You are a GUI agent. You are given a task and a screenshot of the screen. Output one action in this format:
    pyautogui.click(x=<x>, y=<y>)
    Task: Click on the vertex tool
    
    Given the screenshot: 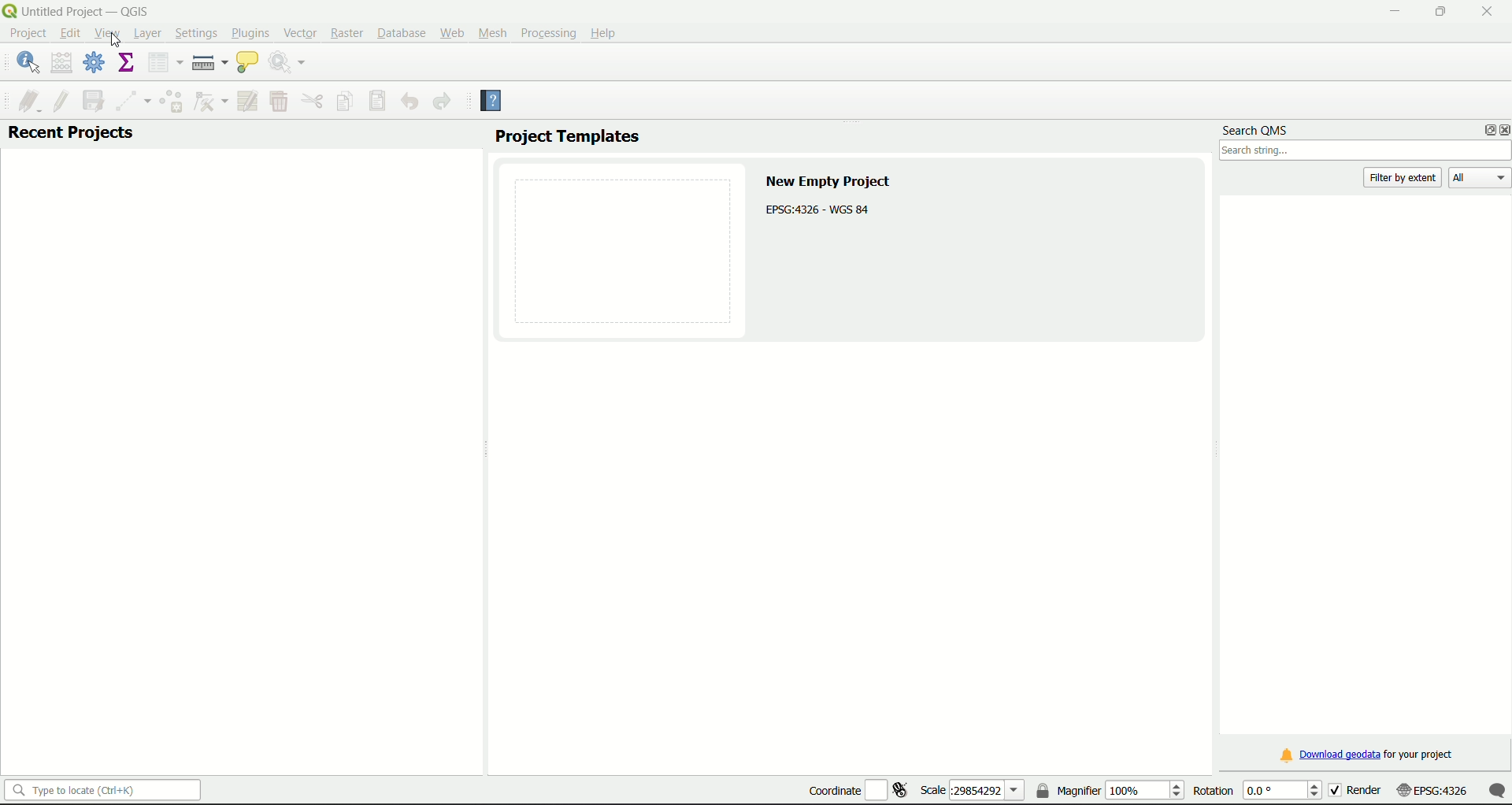 What is the action you would take?
    pyautogui.click(x=212, y=102)
    